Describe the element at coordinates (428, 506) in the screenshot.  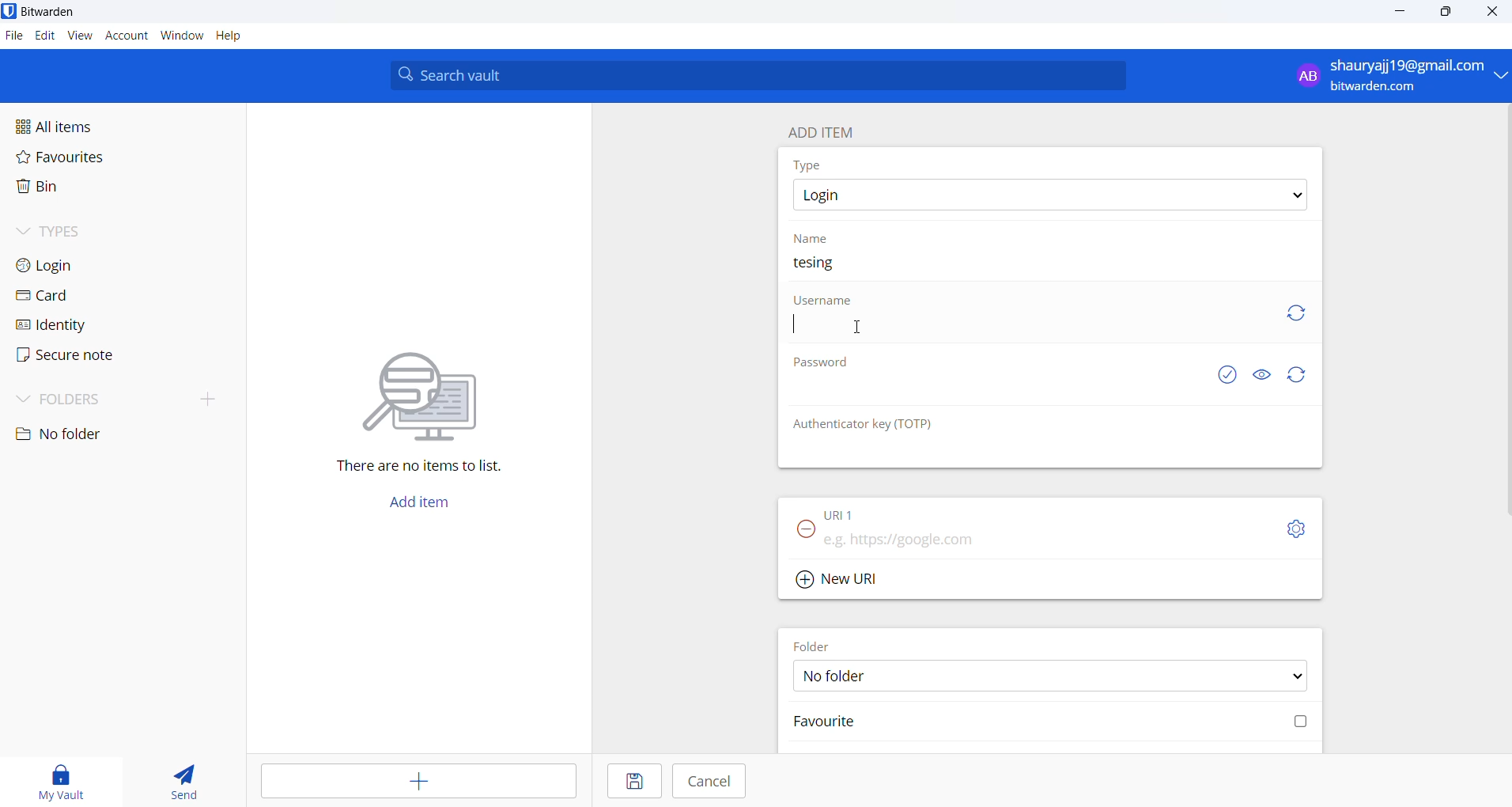
I see `add item button` at that location.